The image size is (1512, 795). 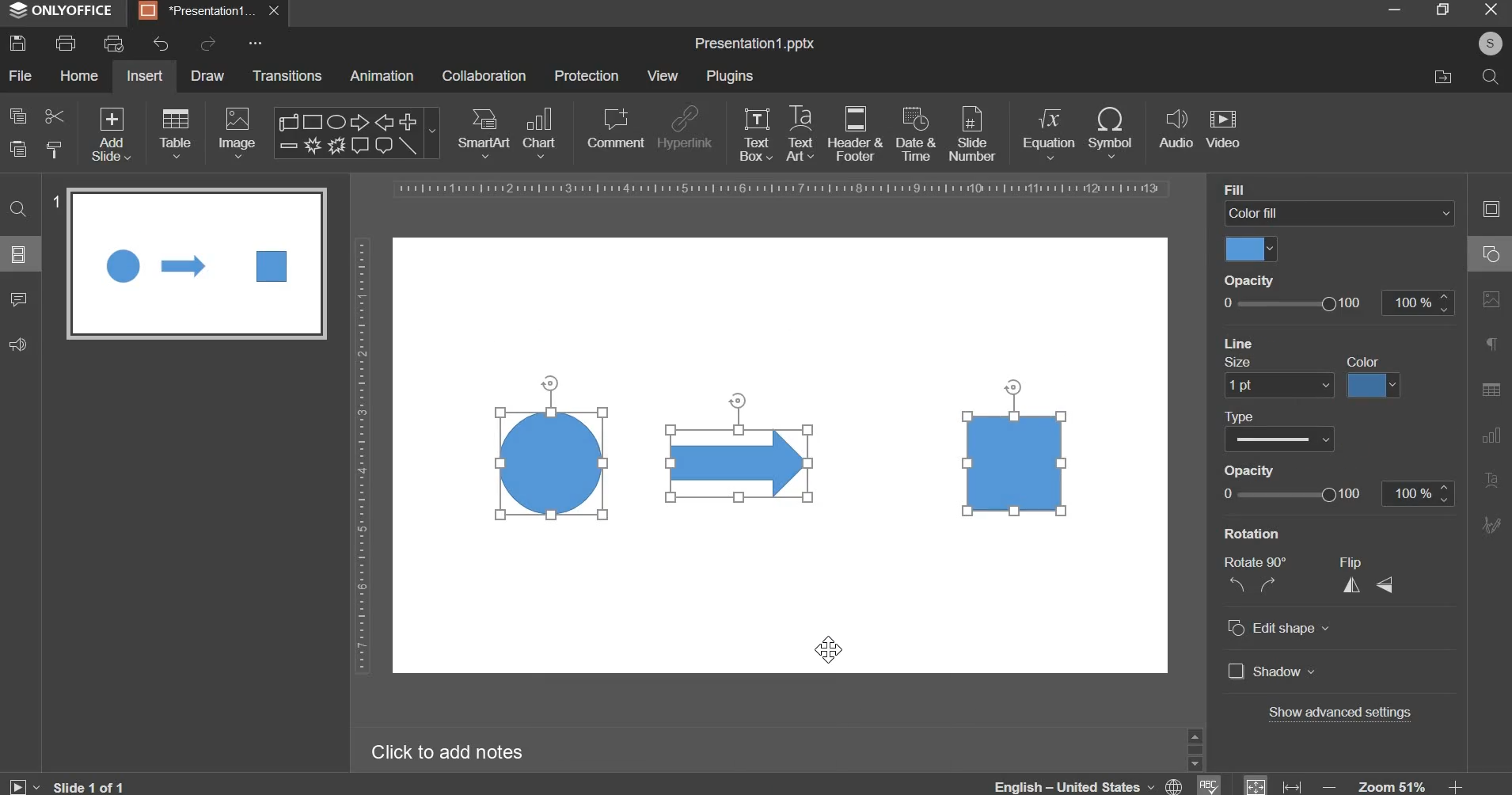 What do you see at coordinates (1490, 208) in the screenshot?
I see `slide setting` at bounding box center [1490, 208].